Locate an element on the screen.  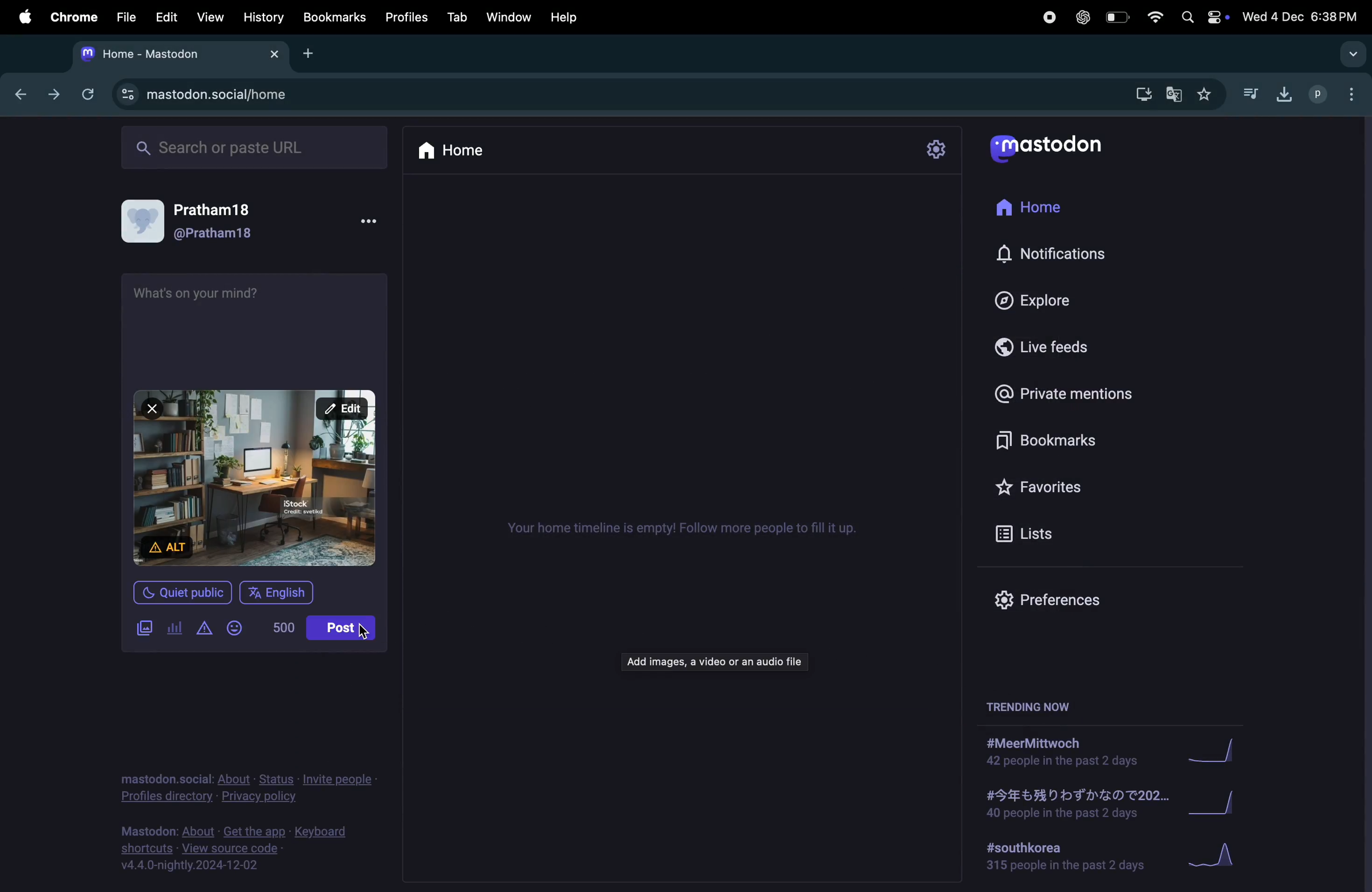
Graph is located at coordinates (1219, 749).